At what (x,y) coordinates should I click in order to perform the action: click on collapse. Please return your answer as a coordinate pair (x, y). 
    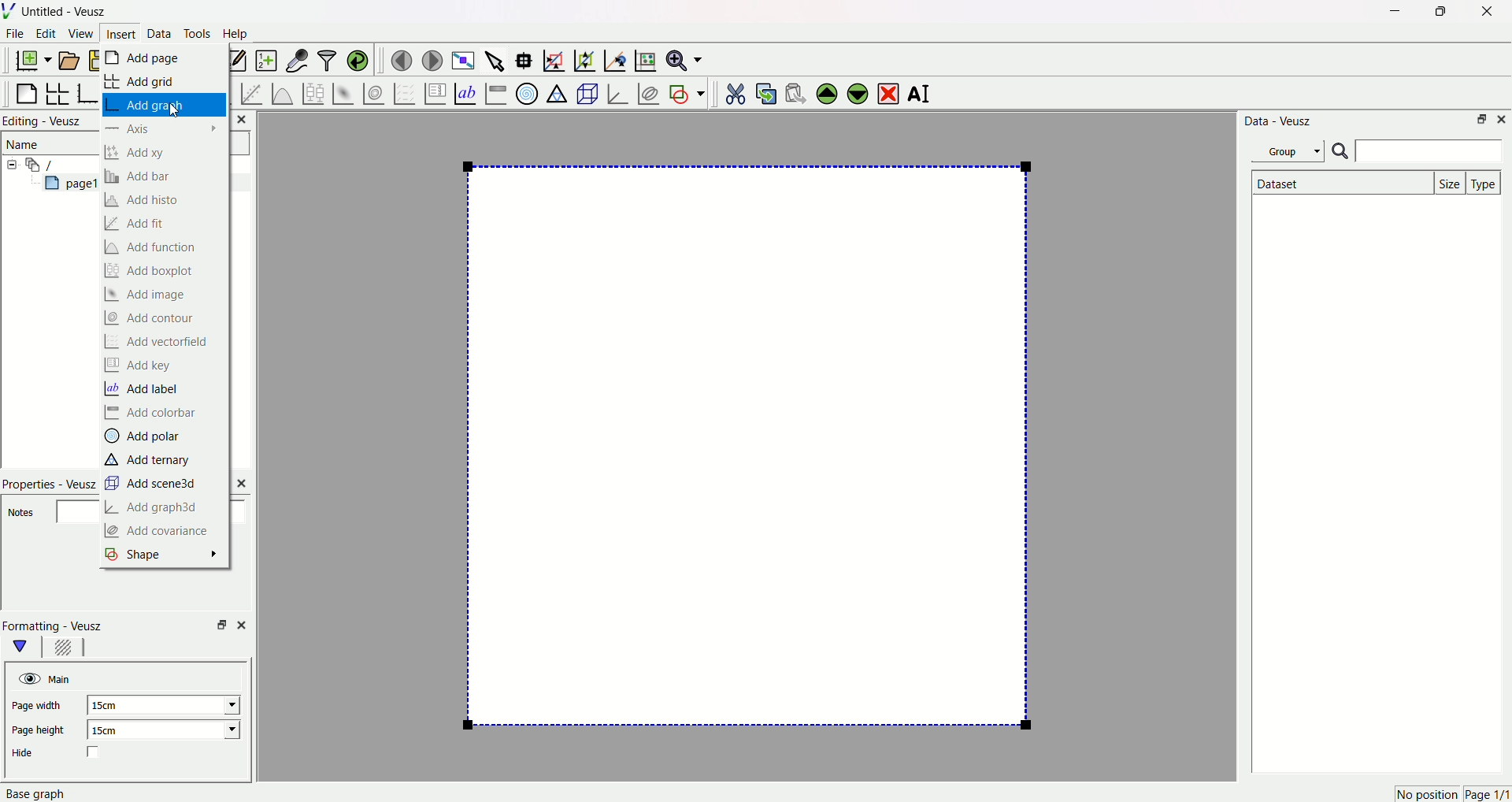
    Looking at the image, I should click on (14, 165).